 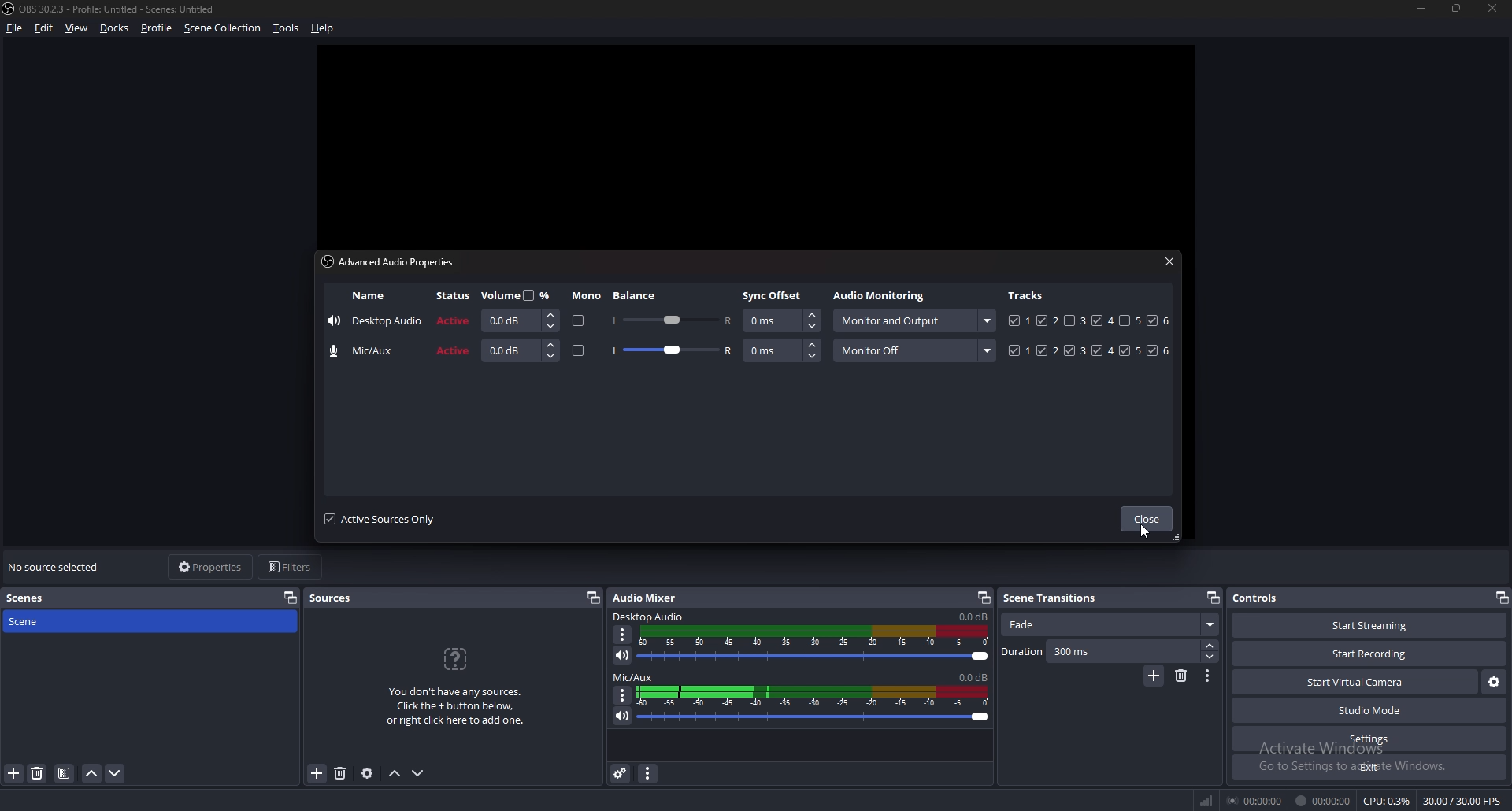 I want to click on volume input, so click(x=521, y=350).